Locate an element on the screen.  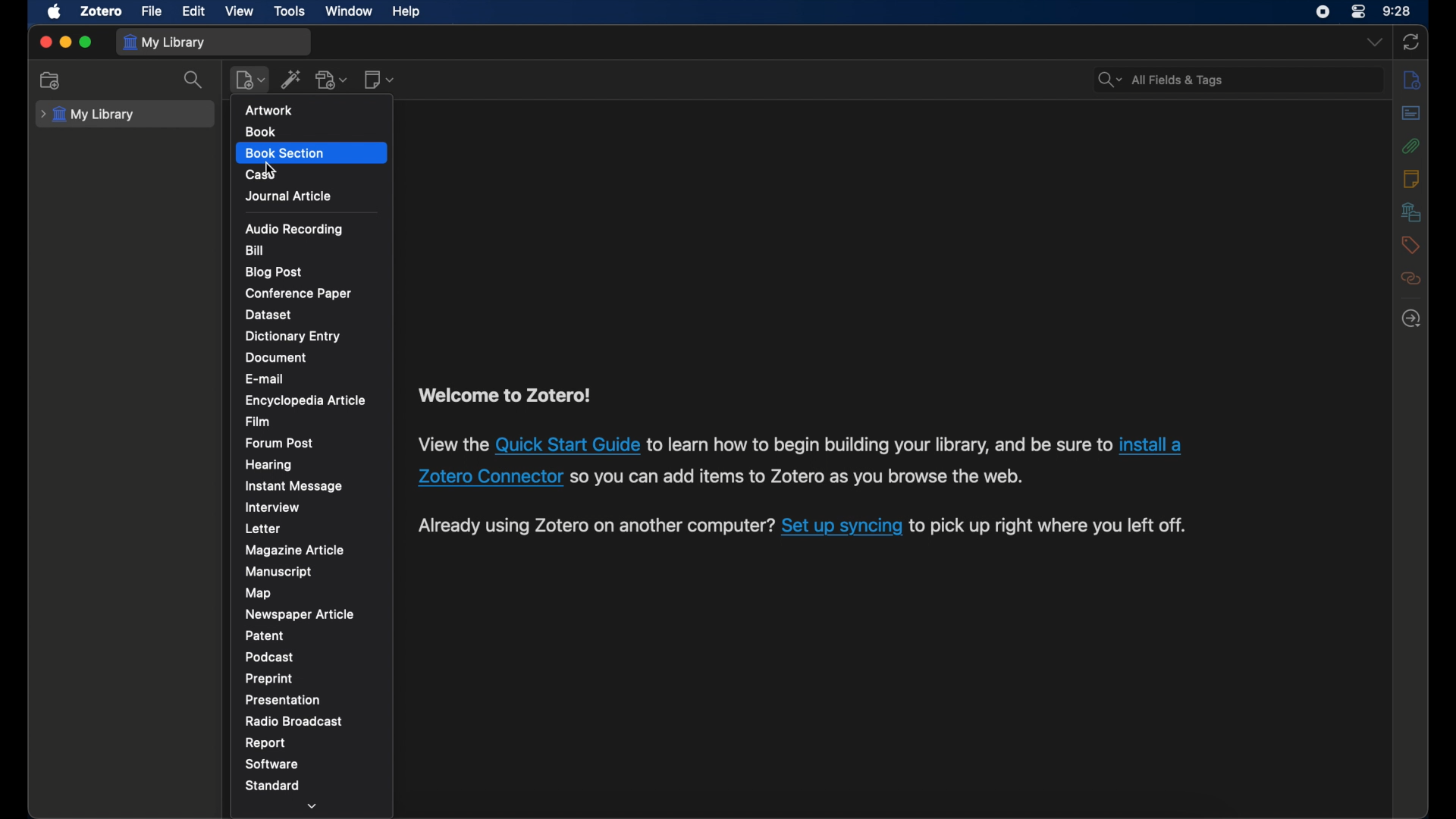
my library is located at coordinates (164, 42).